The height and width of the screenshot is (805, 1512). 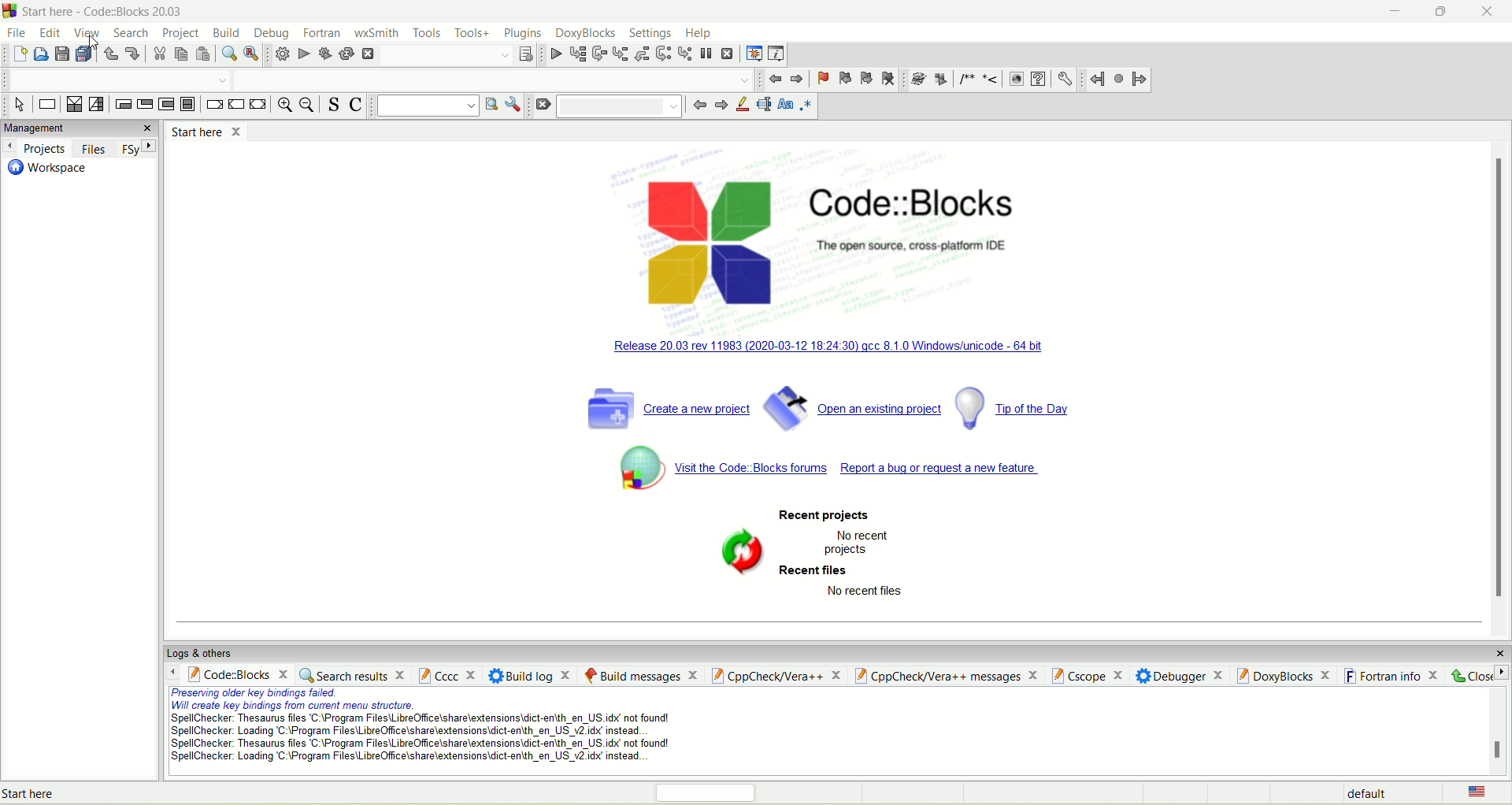 I want to click on web, so click(x=1017, y=80).